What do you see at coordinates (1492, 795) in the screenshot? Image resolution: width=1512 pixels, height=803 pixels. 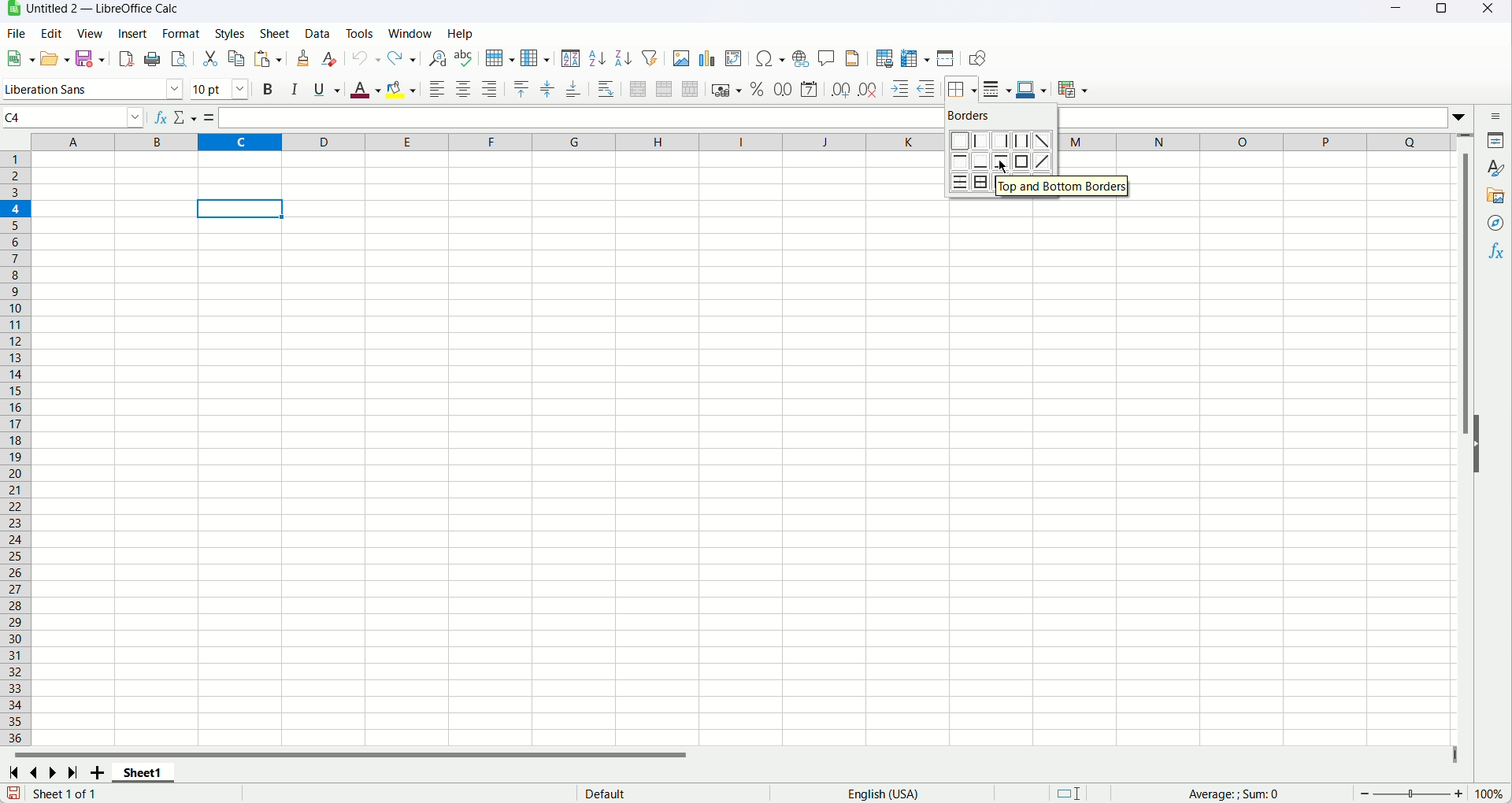 I see `Zoom factor` at bounding box center [1492, 795].